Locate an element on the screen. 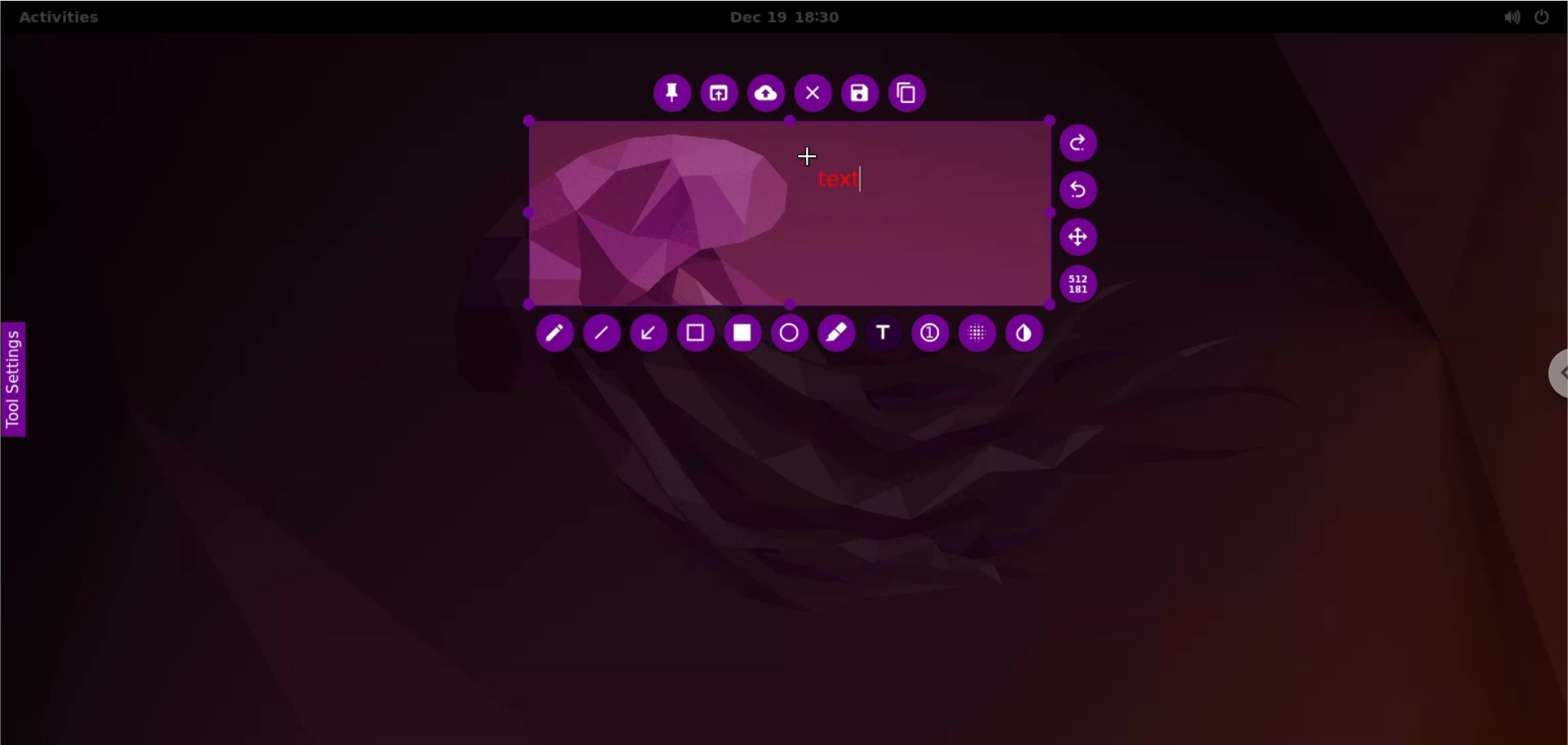  upload is located at coordinates (764, 94).